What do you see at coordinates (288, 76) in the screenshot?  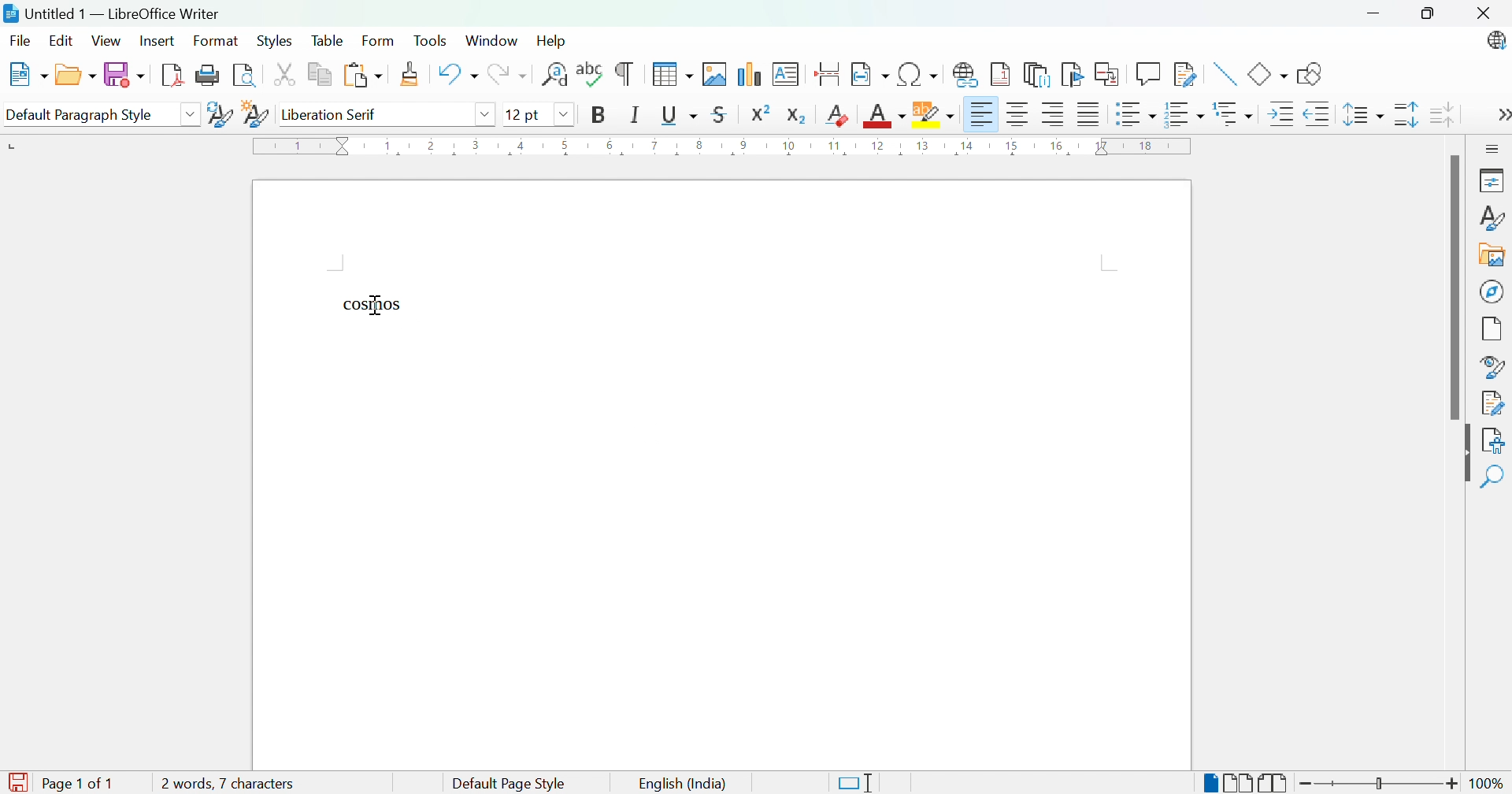 I see `Cut` at bounding box center [288, 76].